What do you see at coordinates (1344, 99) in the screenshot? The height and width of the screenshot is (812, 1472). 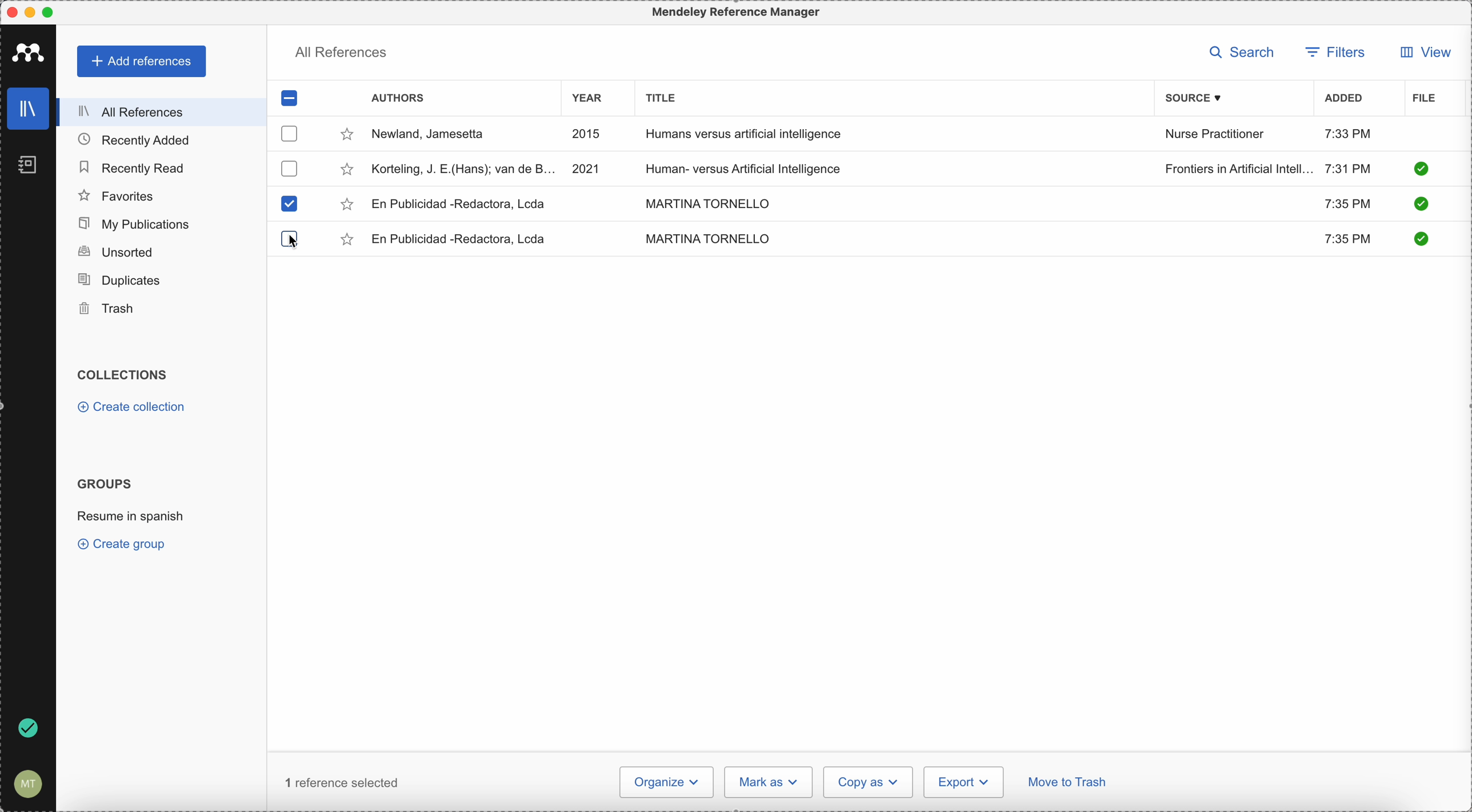 I see `added` at bounding box center [1344, 99].